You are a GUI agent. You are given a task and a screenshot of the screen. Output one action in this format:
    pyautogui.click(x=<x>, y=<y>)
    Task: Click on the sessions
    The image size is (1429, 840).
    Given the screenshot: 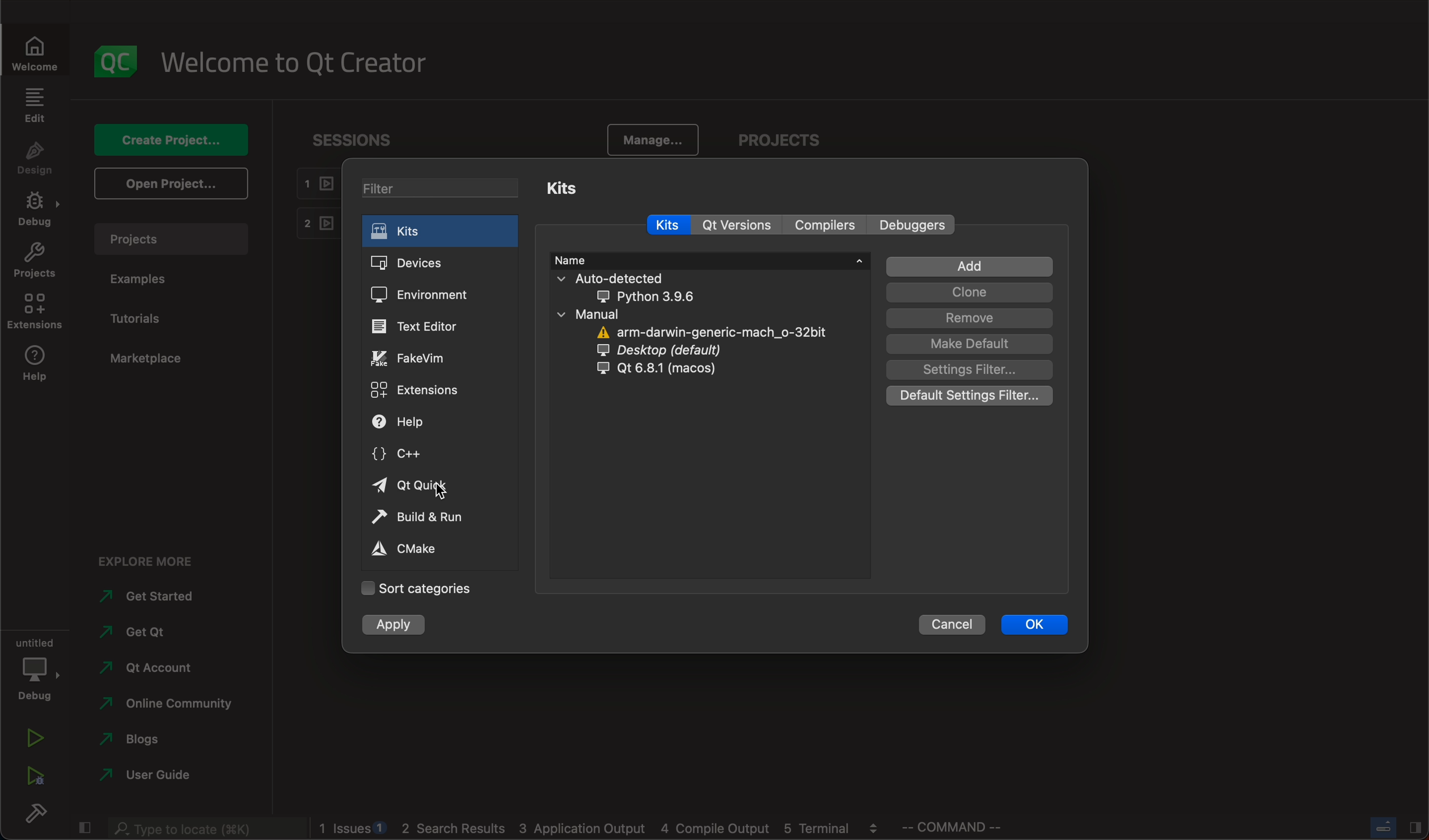 What is the action you would take?
    pyautogui.click(x=357, y=139)
    